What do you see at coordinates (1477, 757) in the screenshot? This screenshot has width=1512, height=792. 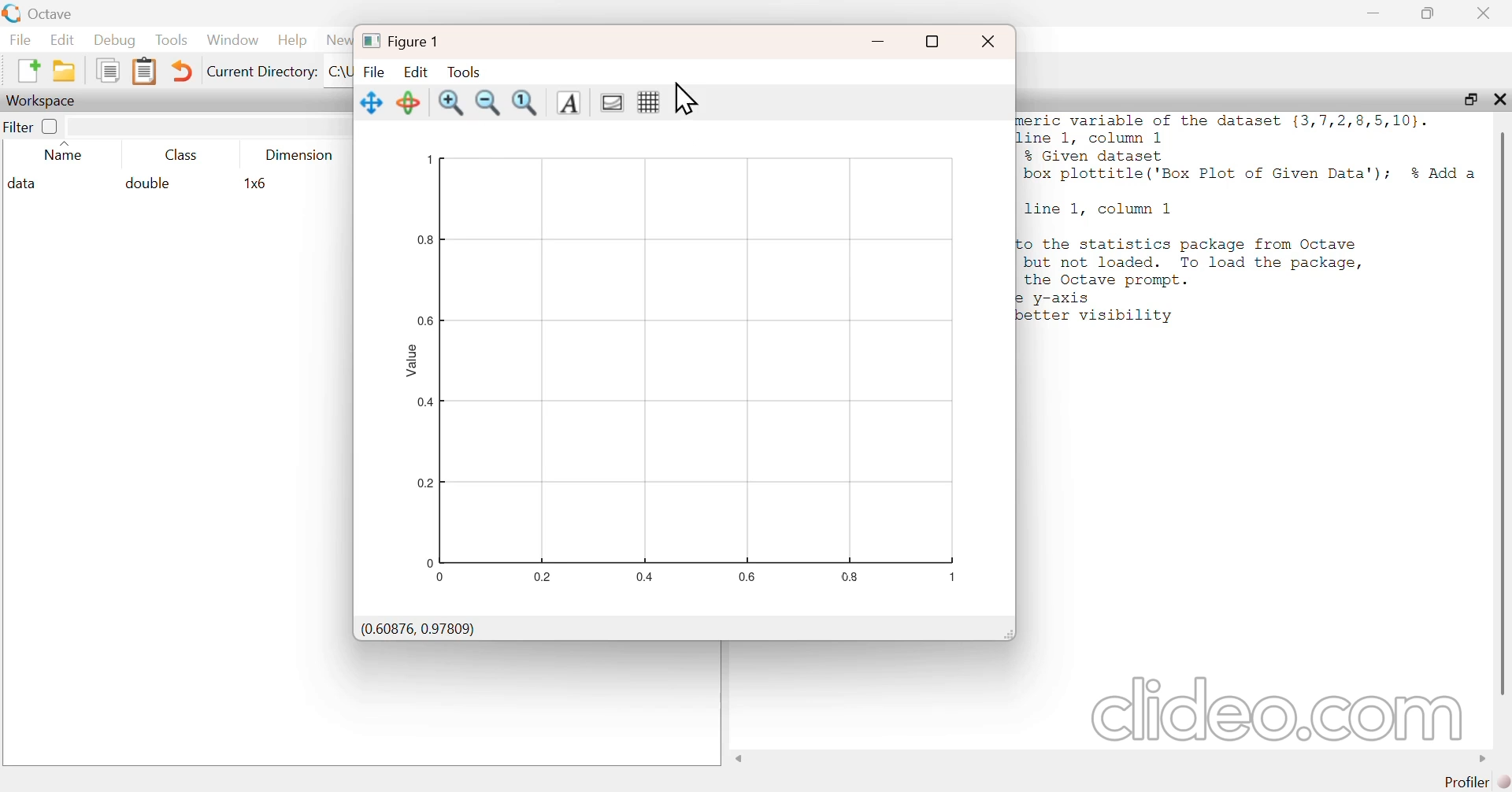 I see `move right` at bounding box center [1477, 757].